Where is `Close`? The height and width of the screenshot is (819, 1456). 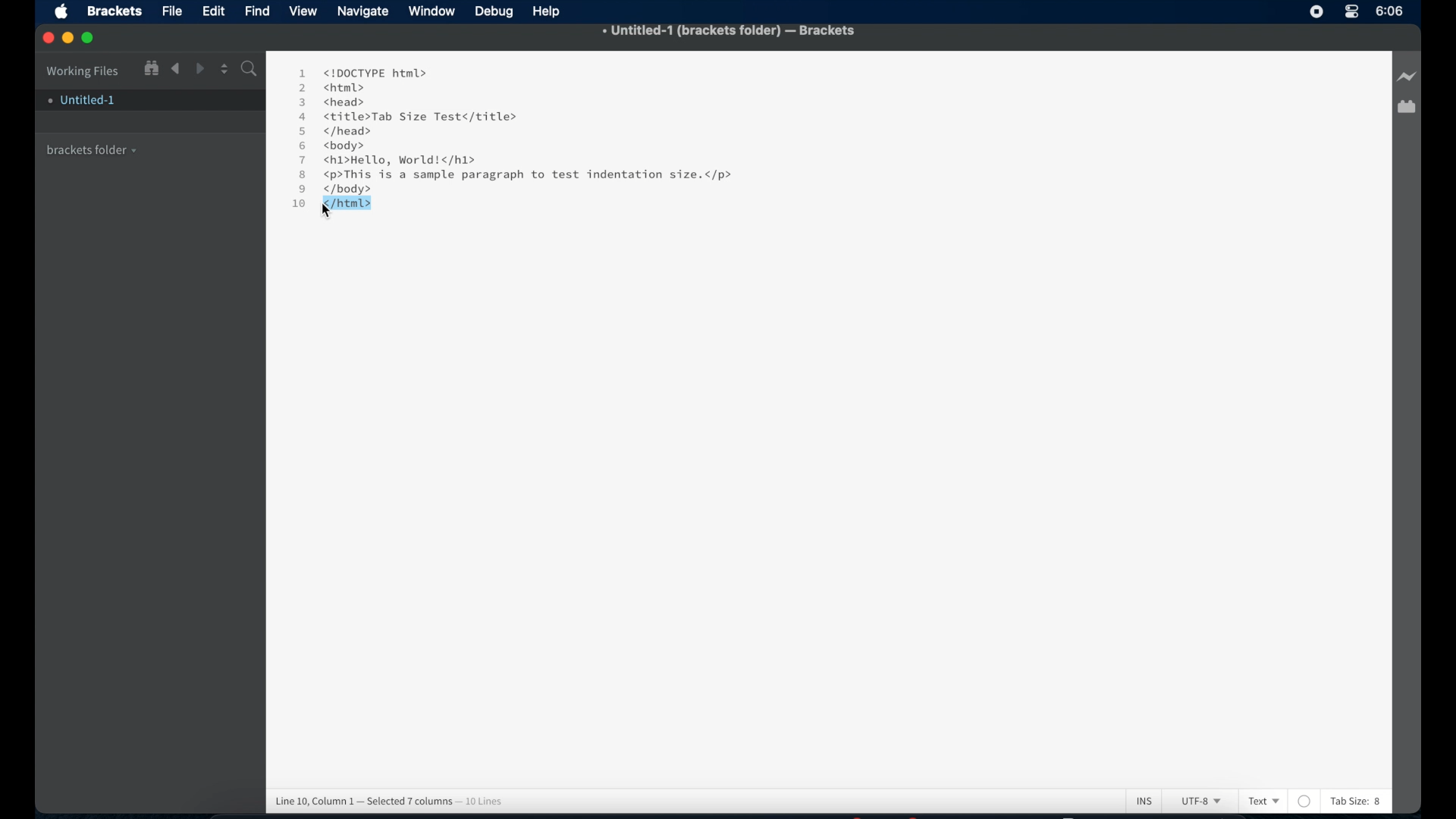
Close is located at coordinates (49, 39).